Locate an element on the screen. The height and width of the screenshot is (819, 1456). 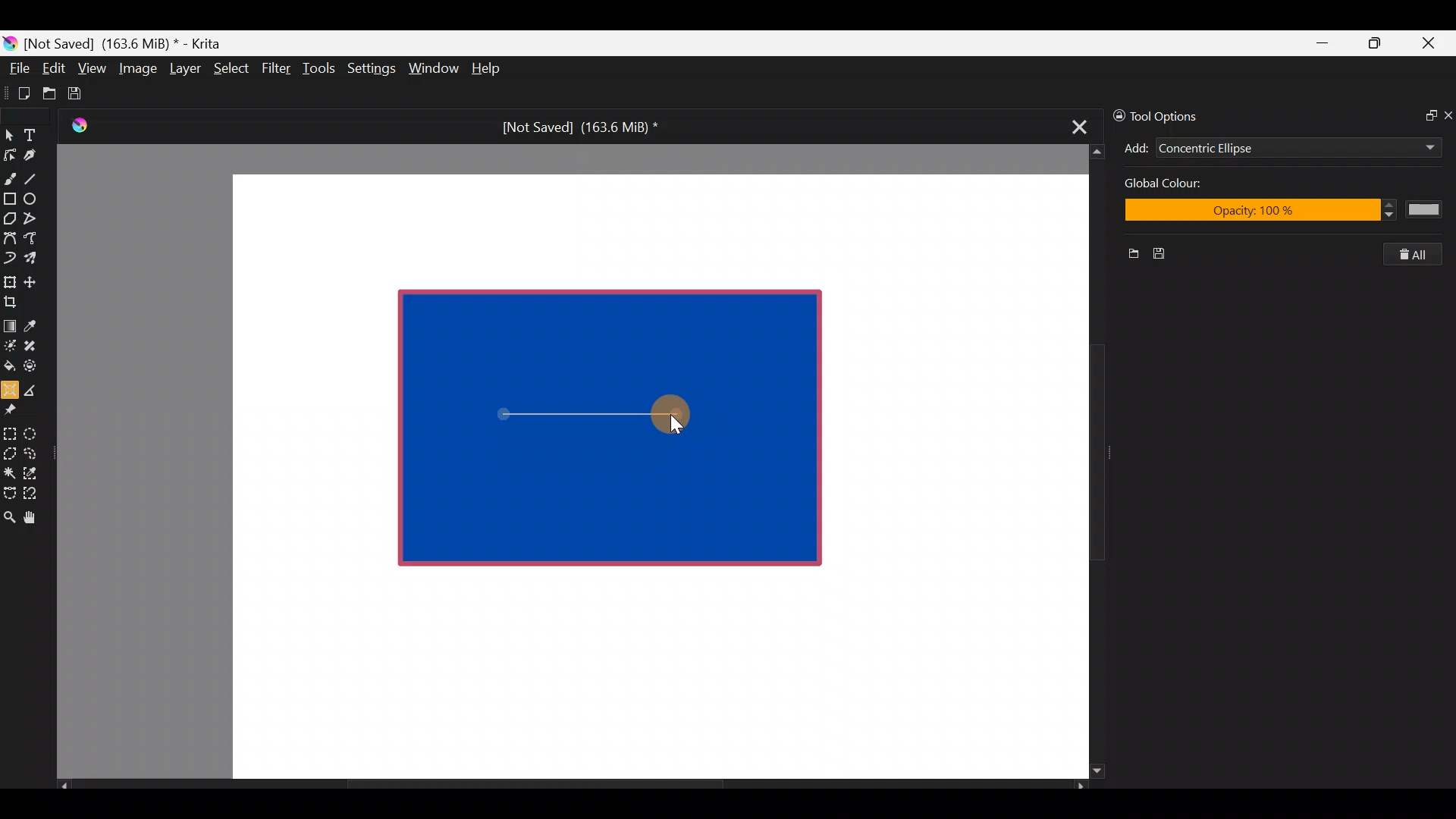
Add dropdown is located at coordinates (1410, 147).